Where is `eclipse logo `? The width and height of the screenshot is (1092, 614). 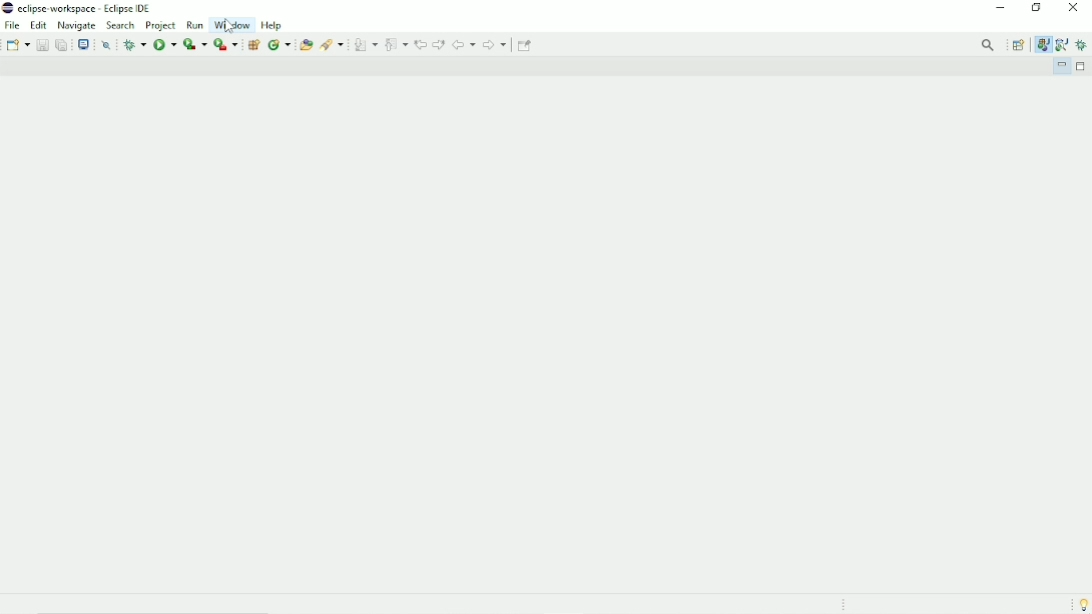 eclipse logo  is located at coordinates (7, 8).